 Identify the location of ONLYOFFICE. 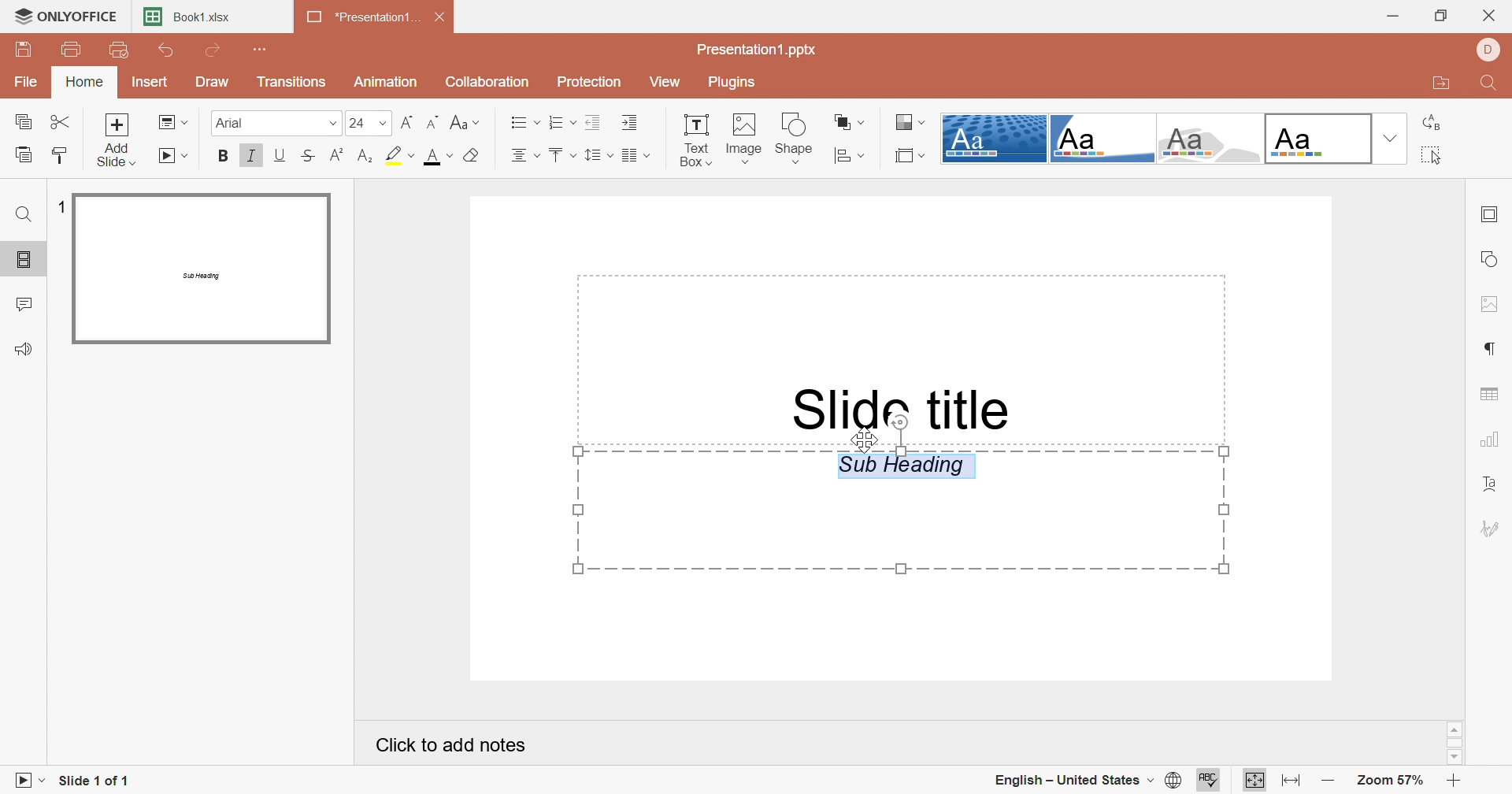
(65, 17).